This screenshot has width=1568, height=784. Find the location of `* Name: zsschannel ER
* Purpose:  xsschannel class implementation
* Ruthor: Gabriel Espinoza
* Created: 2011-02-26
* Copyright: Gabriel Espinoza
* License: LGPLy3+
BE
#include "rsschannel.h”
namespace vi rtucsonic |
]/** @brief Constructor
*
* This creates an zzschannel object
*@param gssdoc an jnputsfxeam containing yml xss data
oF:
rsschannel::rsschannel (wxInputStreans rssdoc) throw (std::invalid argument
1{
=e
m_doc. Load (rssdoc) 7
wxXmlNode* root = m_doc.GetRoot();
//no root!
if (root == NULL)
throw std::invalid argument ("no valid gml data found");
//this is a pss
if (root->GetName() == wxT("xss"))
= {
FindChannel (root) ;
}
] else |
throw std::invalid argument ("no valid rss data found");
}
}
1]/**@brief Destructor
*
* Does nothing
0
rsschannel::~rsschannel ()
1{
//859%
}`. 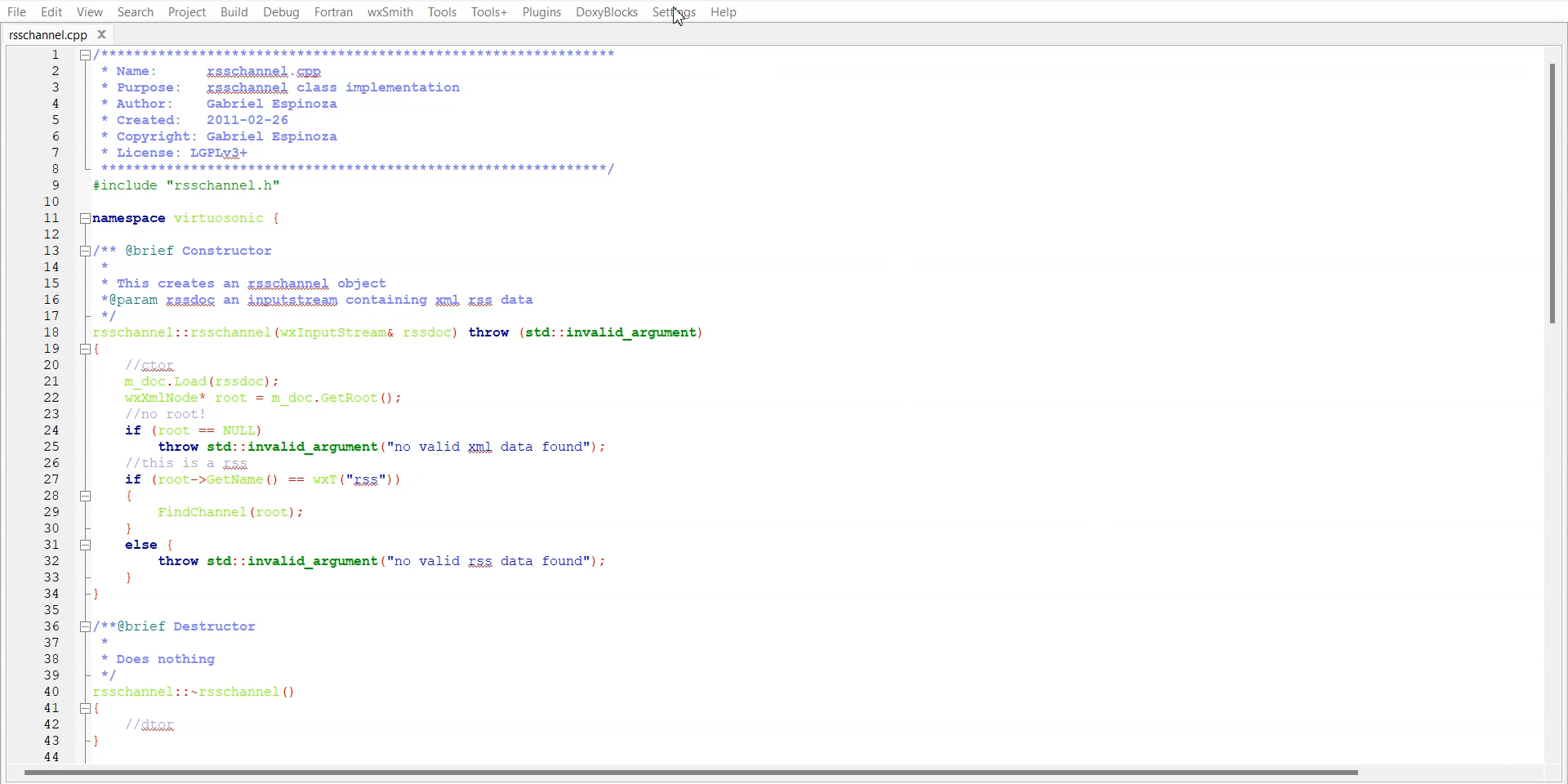

* Name: zsschannel ER
* Purpose:  xsschannel class implementation
* Ruthor: Gabriel Espinoza
* Created: 2011-02-26
* Copyright: Gabriel Espinoza
* License: LGPLy3+
BE
#include "rsschannel.h”
namespace vi rtucsonic |
]/** @brief Constructor
*
* This creates an zzschannel object
*@param gssdoc an jnputsfxeam containing yml xss data
oF:
rsschannel::rsschannel (wxInputStreans rssdoc) throw (std::invalid argument
1{
=e
m_doc. Load (rssdoc) 7
wxXmlNode* root = m_doc.GetRoot();
//no root!
if (root == NULL)
throw std::invalid argument ("no valid gml data found");
//this is a pss
if (root->GetName() == wxT("xss"))
= {
FindChannel (root) ;
}
] else |
throw std::invalid argument ("no valid rss data found");
}
}
1]/**@brief Destructor
*
* Does nothing
0
rsschannel::~rsschannel ()
1{
//859%
} is located at coordinates (504, 405).